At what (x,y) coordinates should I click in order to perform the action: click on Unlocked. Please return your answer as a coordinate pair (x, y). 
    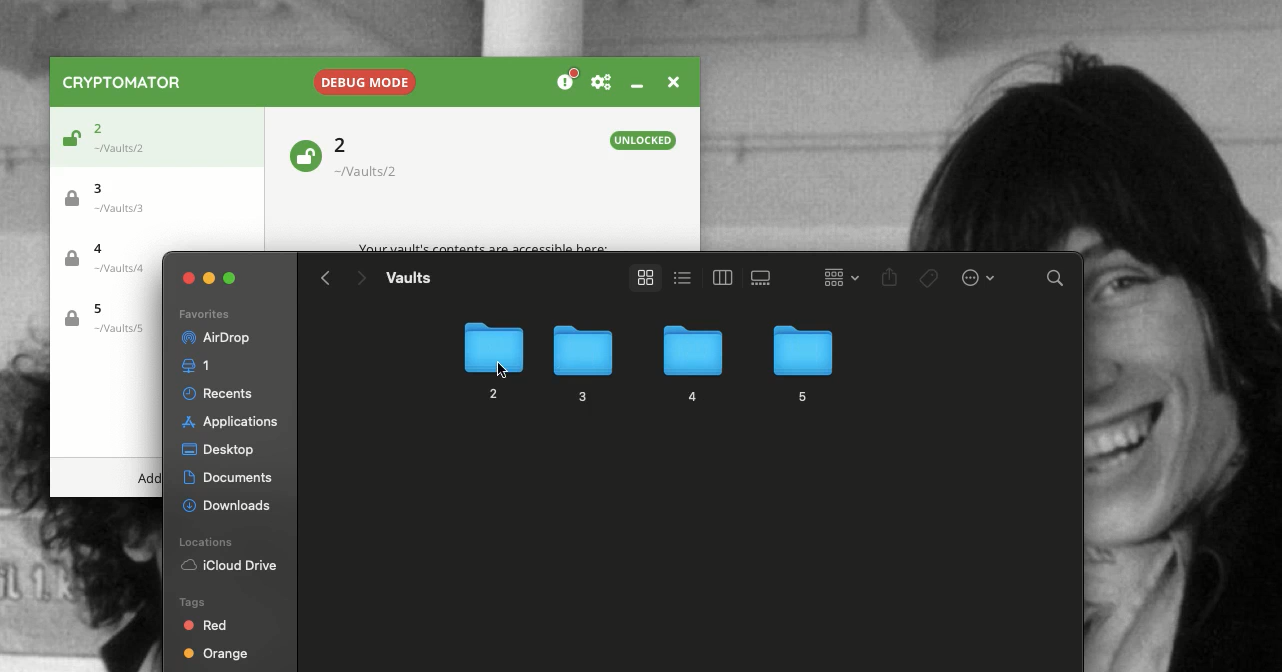
    Looking at the image, I should click on (644, 140).